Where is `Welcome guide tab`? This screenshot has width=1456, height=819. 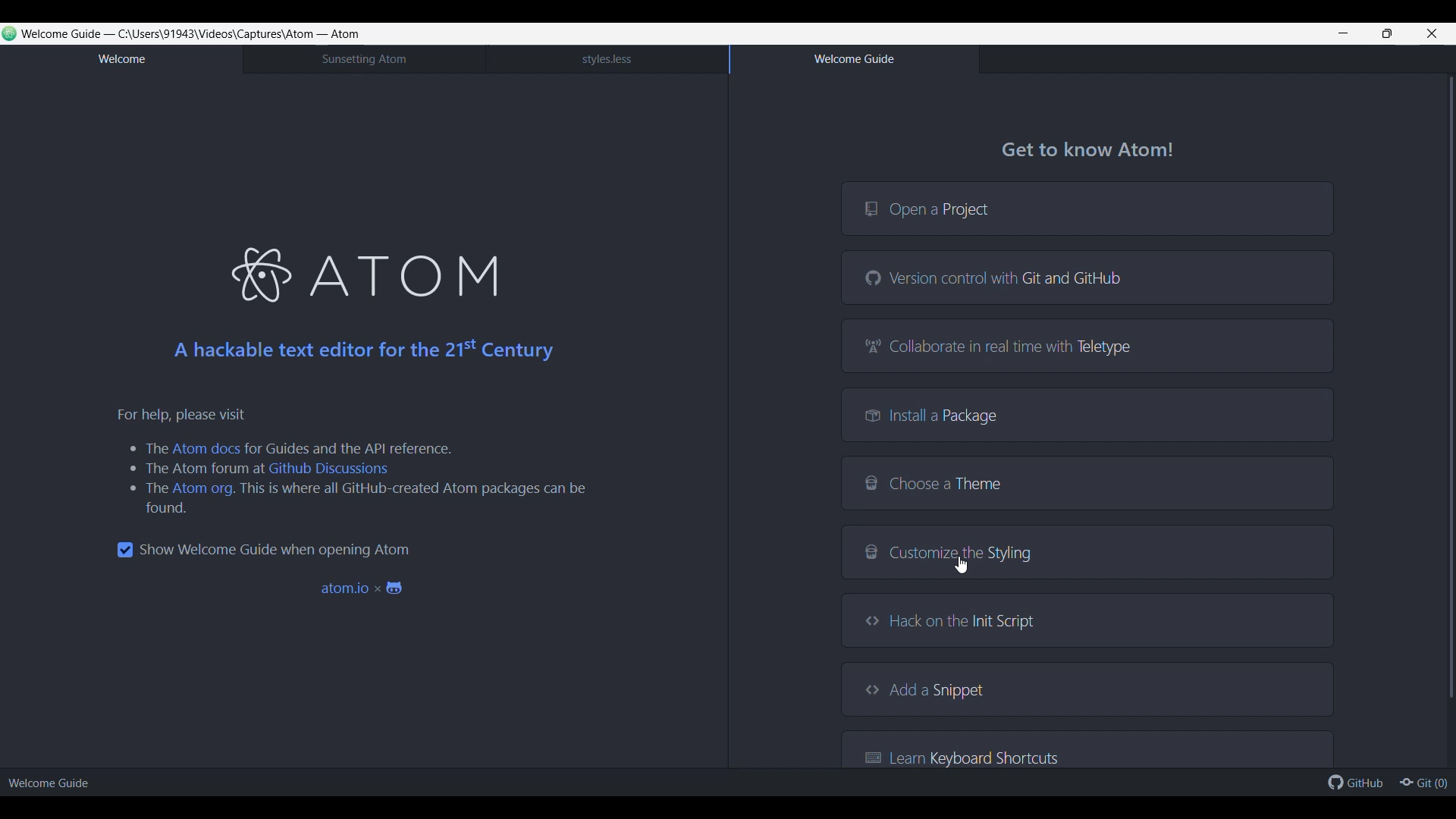
Welcome guide tab is located at coordinates (853, 59).